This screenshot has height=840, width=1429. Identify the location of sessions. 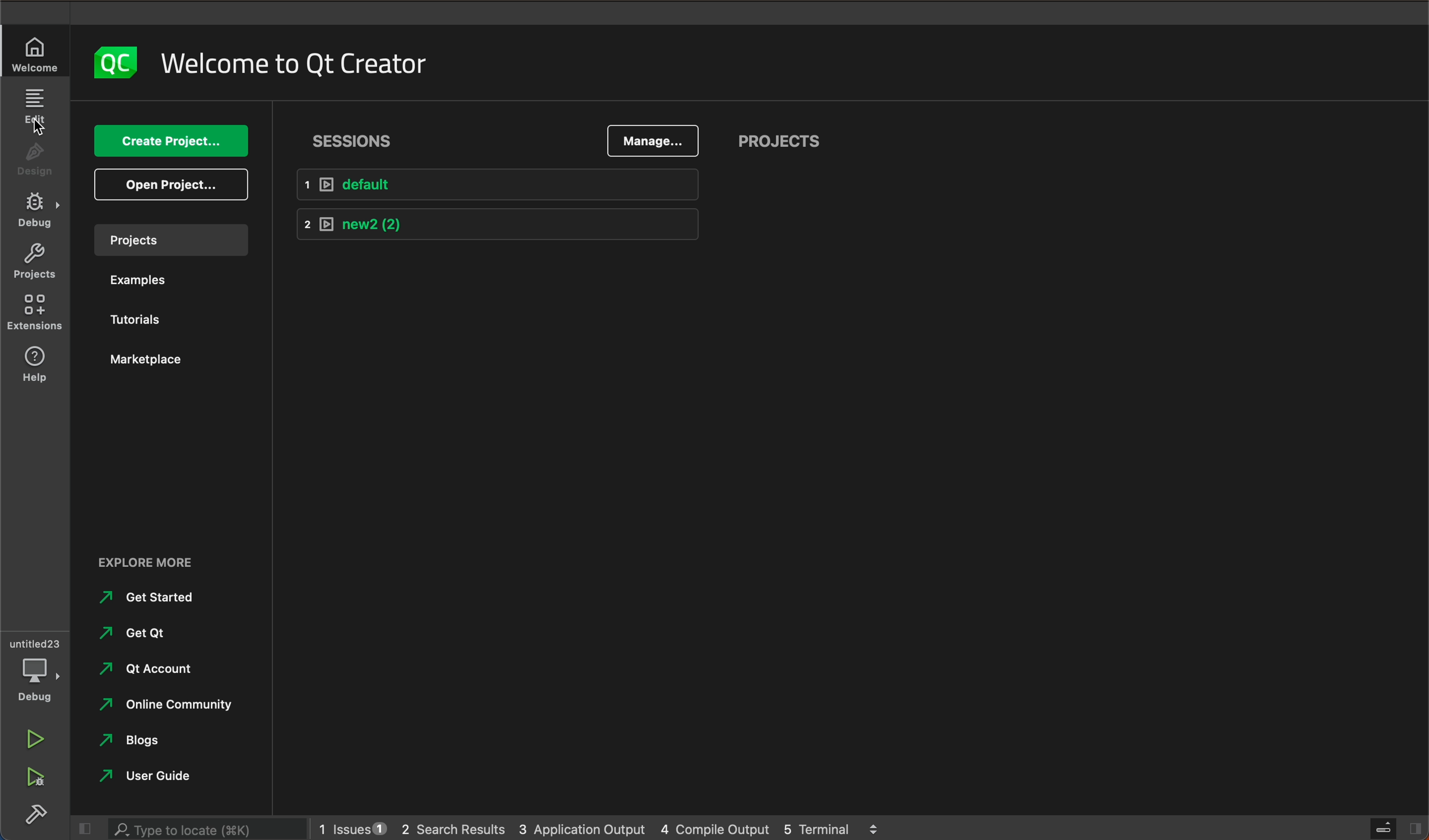
(355, 135).